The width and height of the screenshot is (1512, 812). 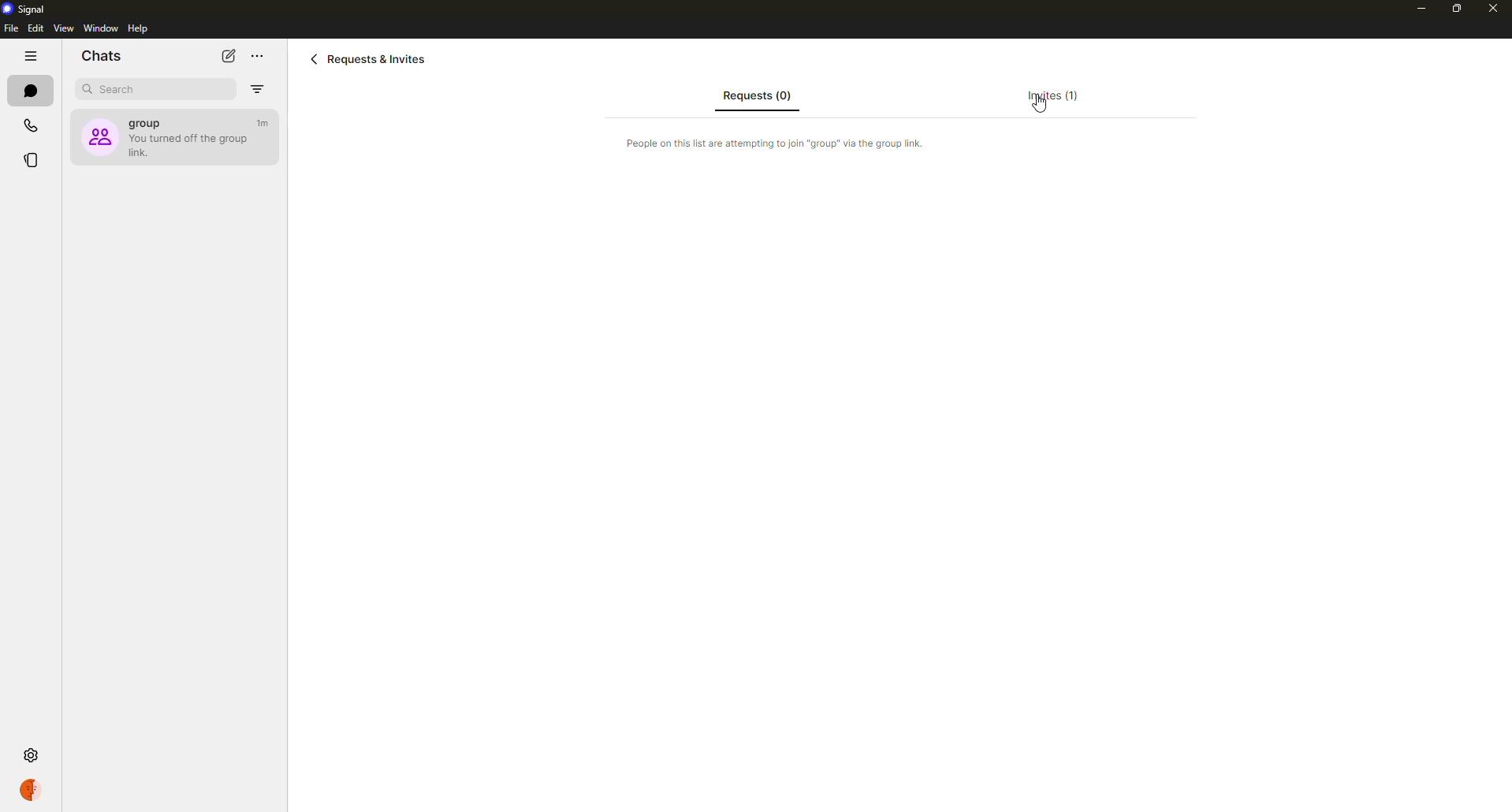 I want to click on maximize, so click(x=1448, y=9).